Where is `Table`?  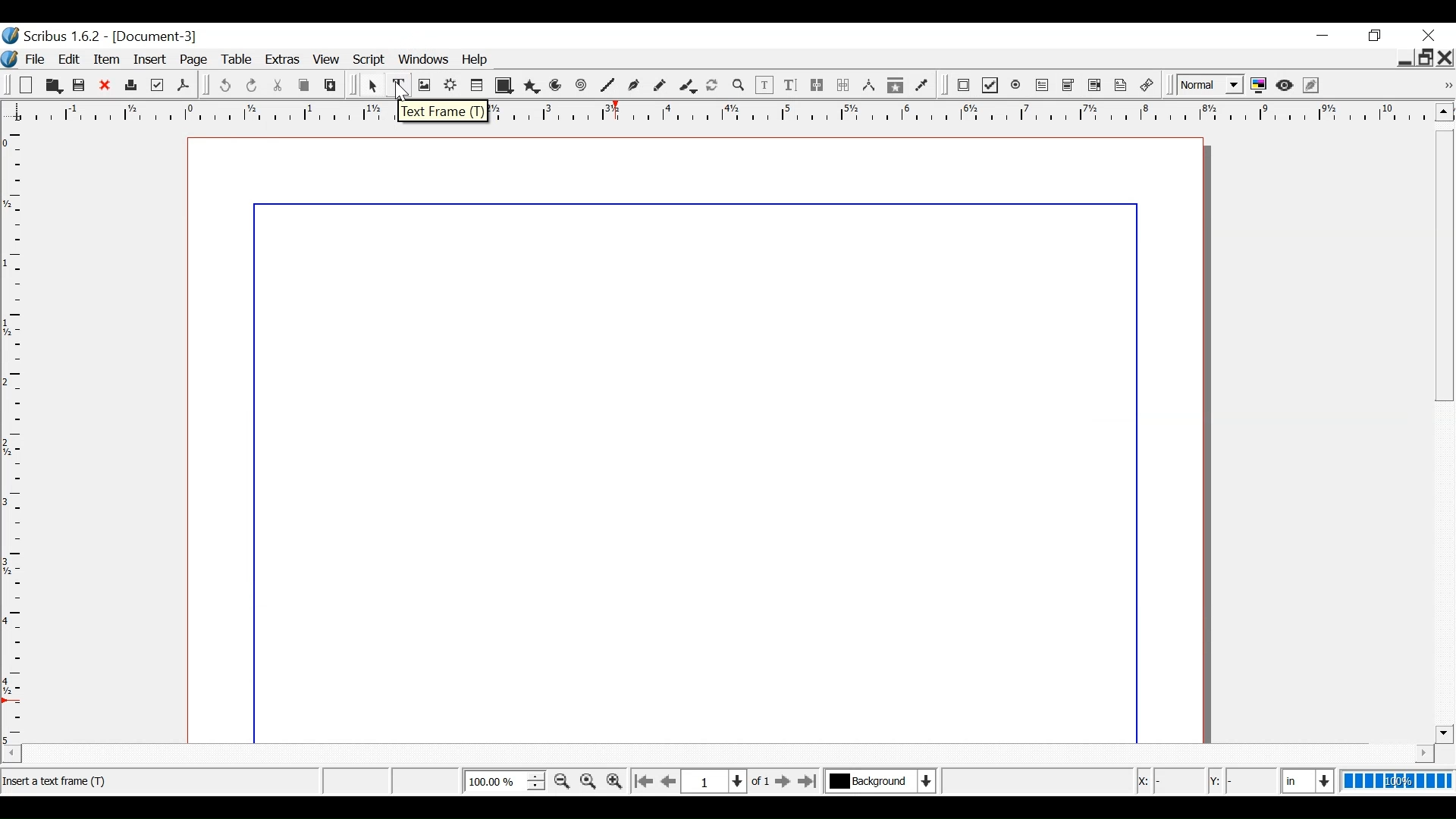 Table is located at coordinates (479, 86).